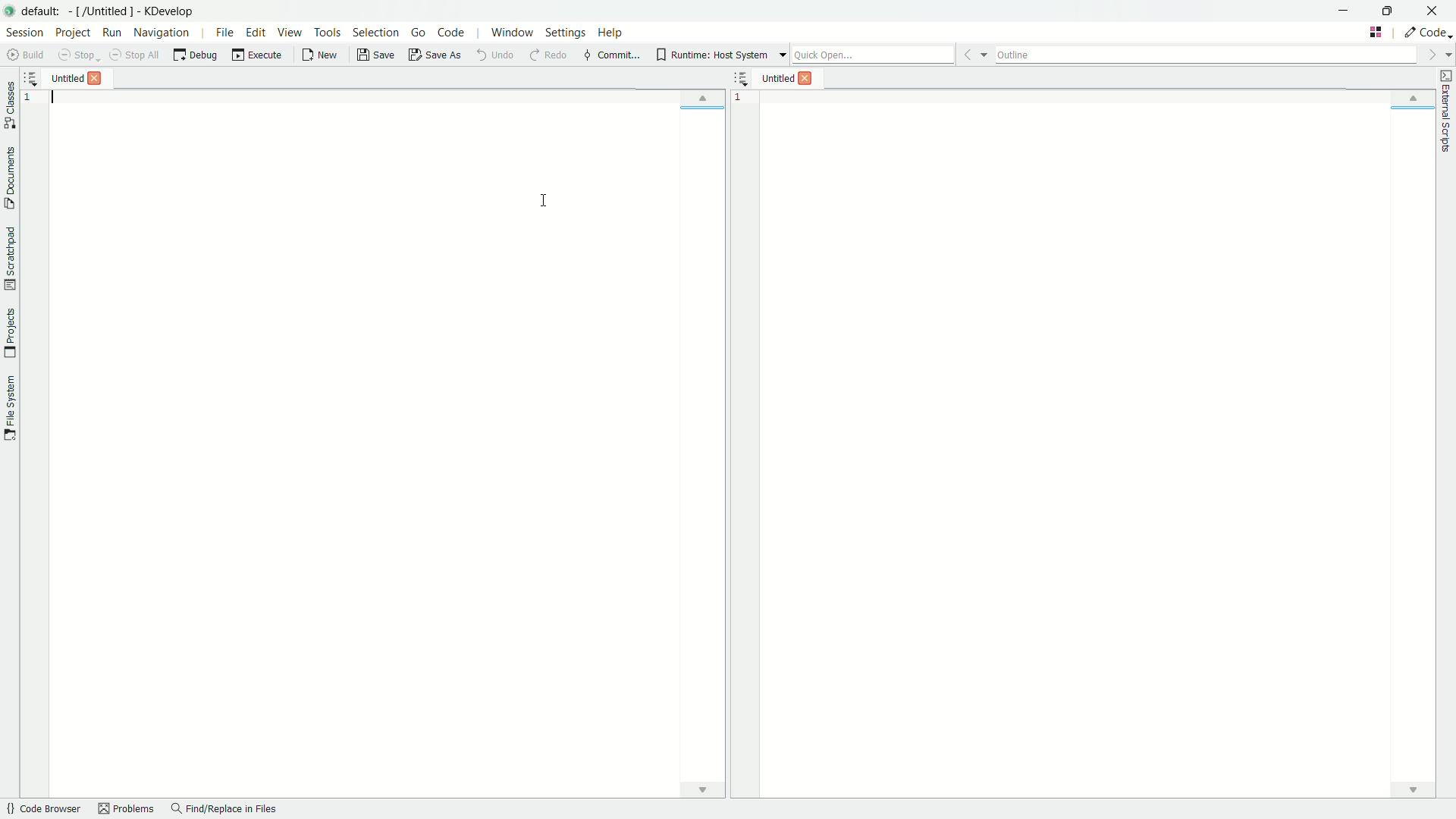 The height and width of the screenshot is (819, 1456). Describe the element at coordinates (1415, 104) in the screenshot. I see `up` at that location.